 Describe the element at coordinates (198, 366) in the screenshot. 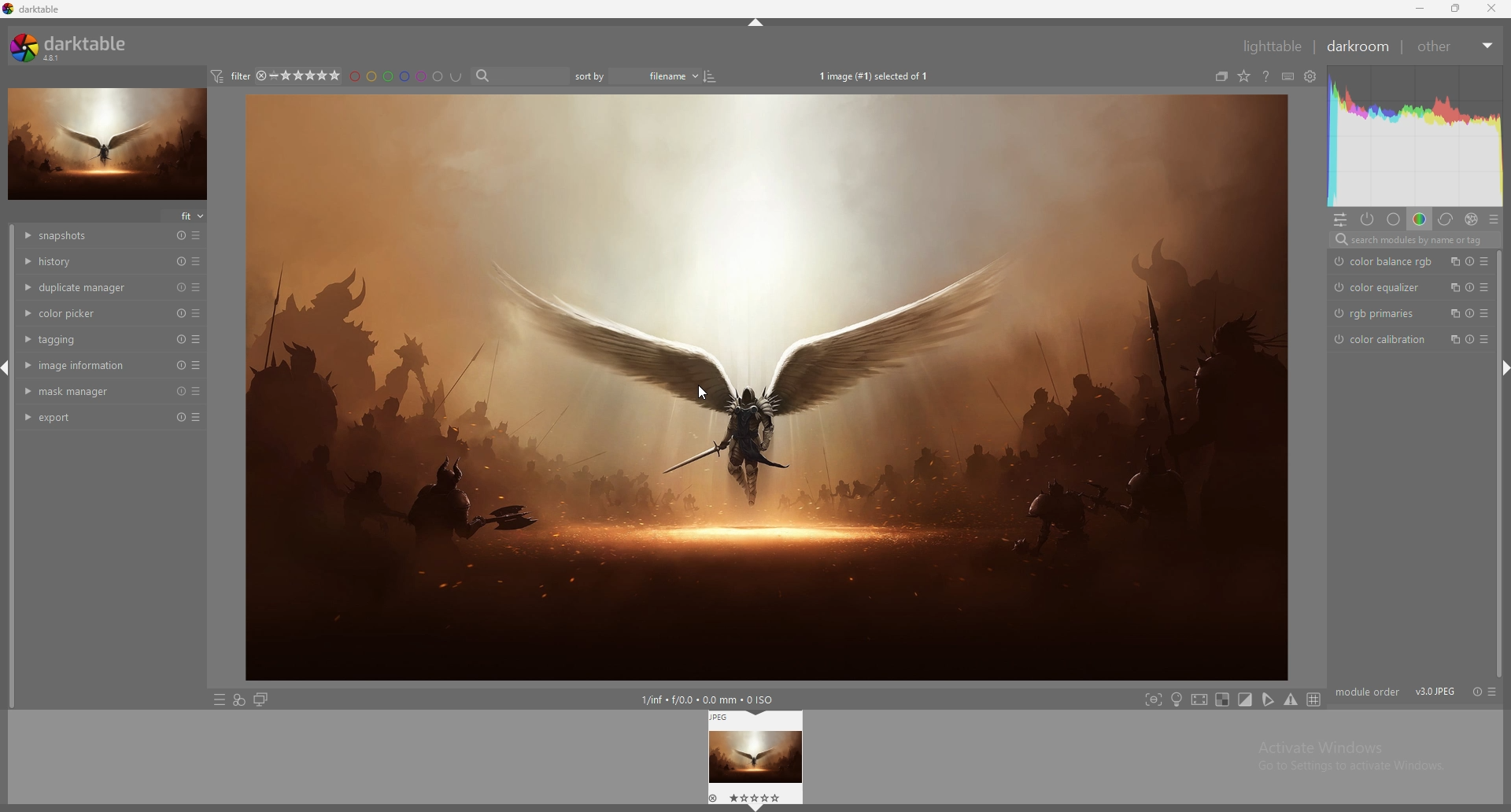

I see `preset` at that location.